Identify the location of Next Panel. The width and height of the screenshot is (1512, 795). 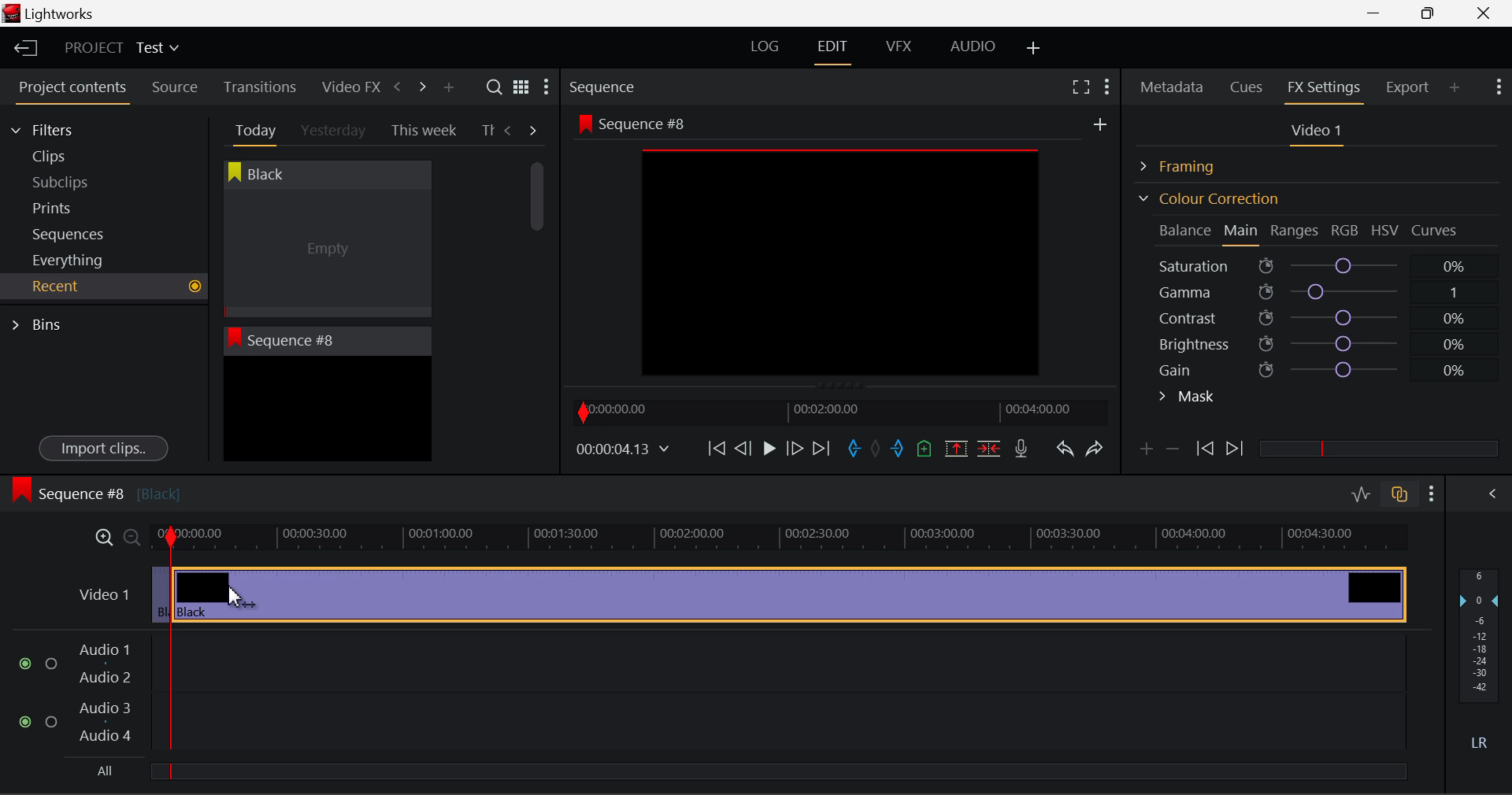
(420, 86).